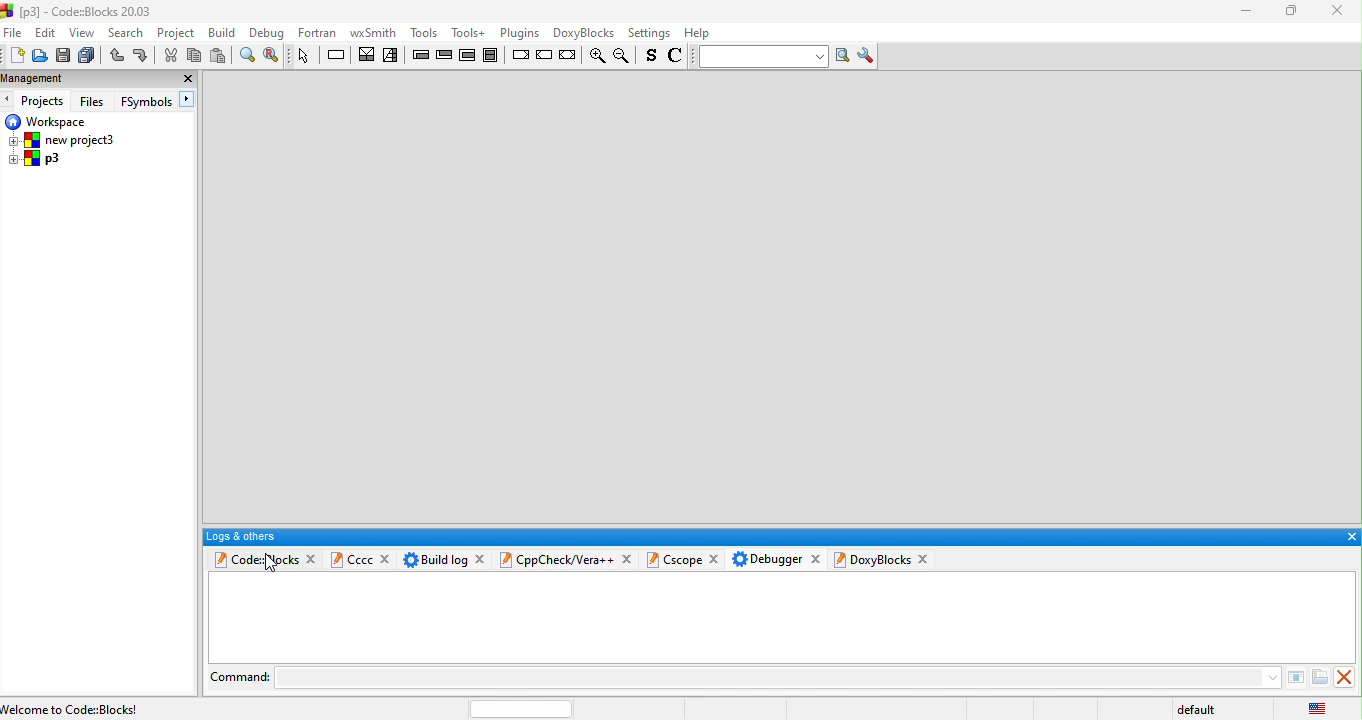  Describe the element at coordinates (39, 57) in the screenshot. I see `open` at that location.